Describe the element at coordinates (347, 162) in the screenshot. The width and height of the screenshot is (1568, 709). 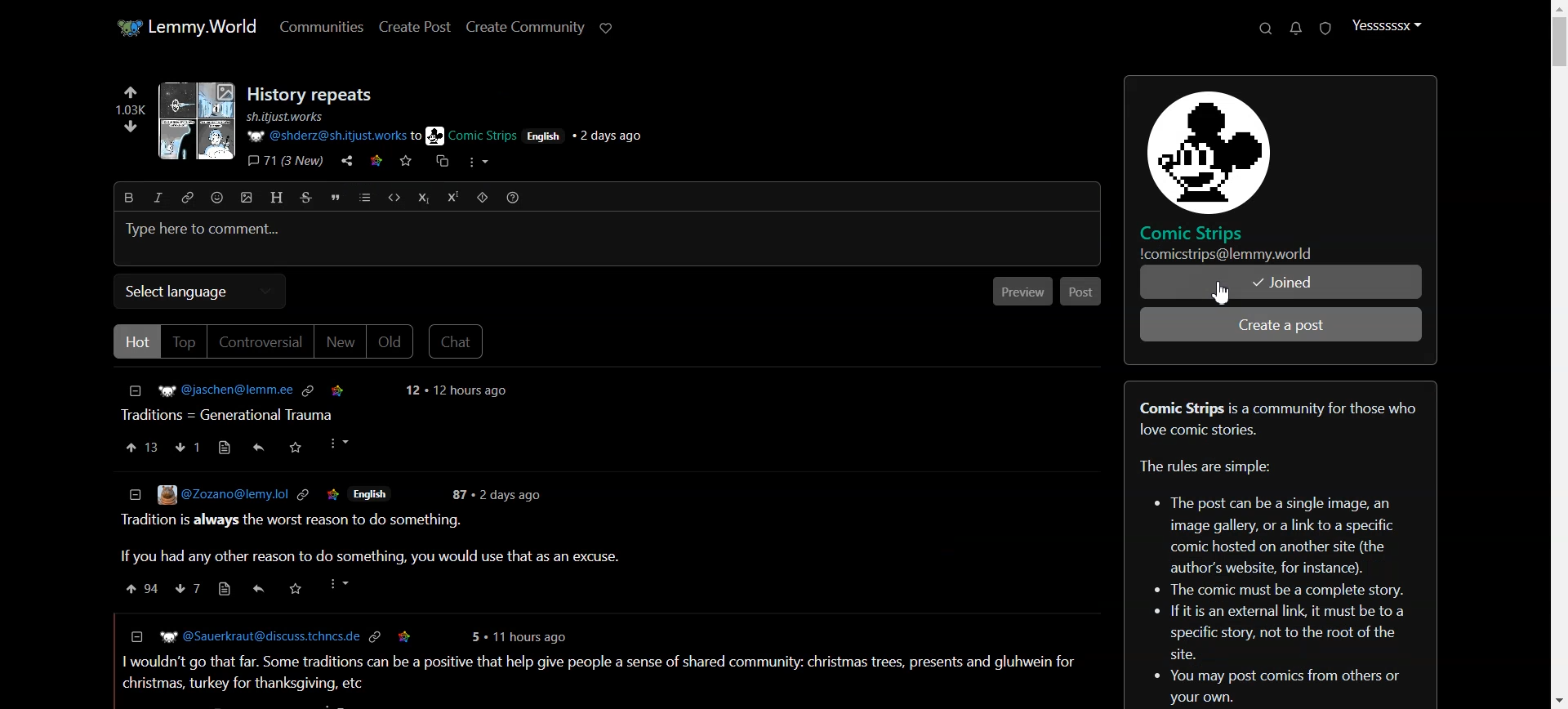
I see `Share` at that location.